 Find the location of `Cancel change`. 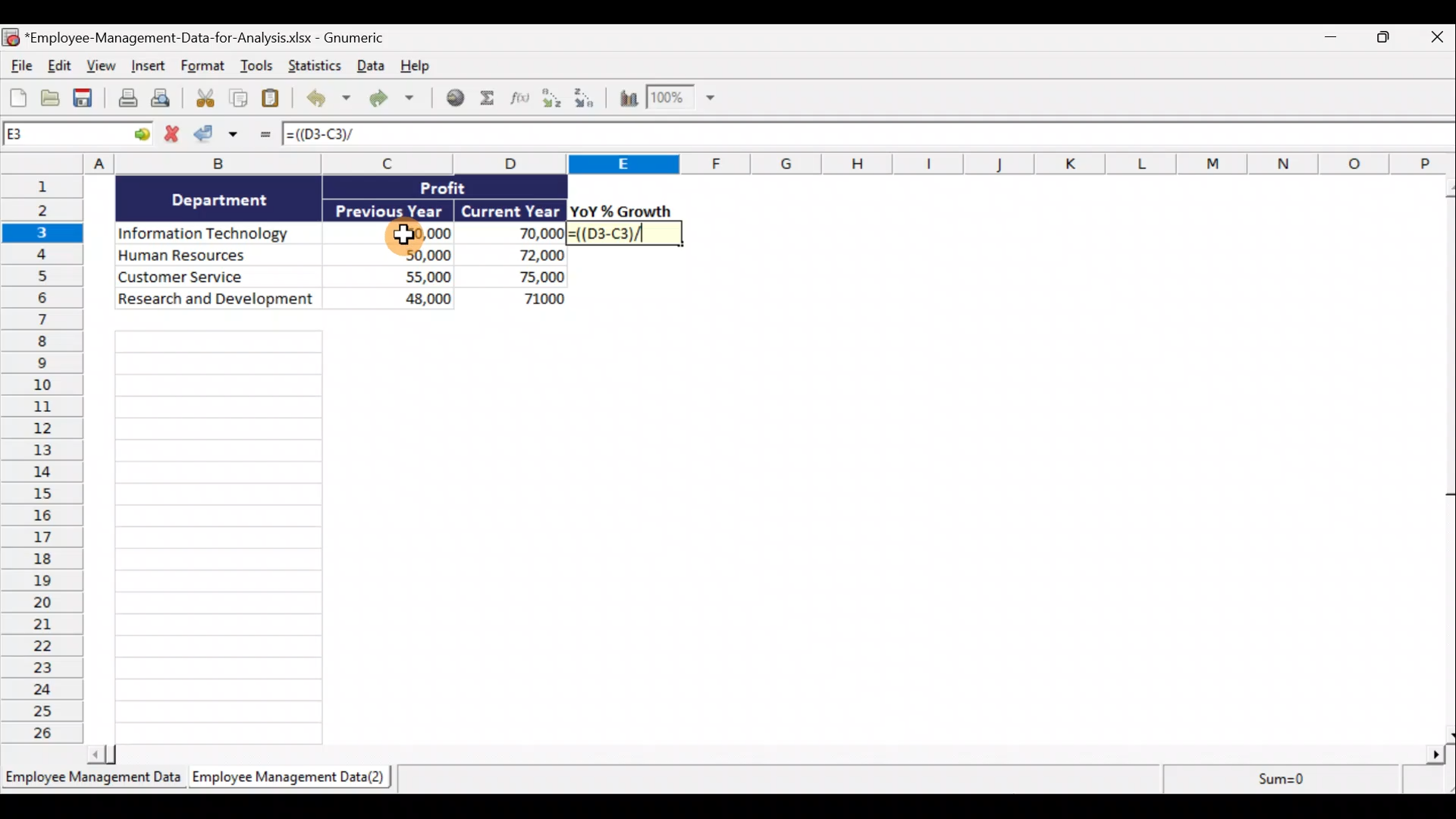

Cancel change is located at coordinates (174, 134).